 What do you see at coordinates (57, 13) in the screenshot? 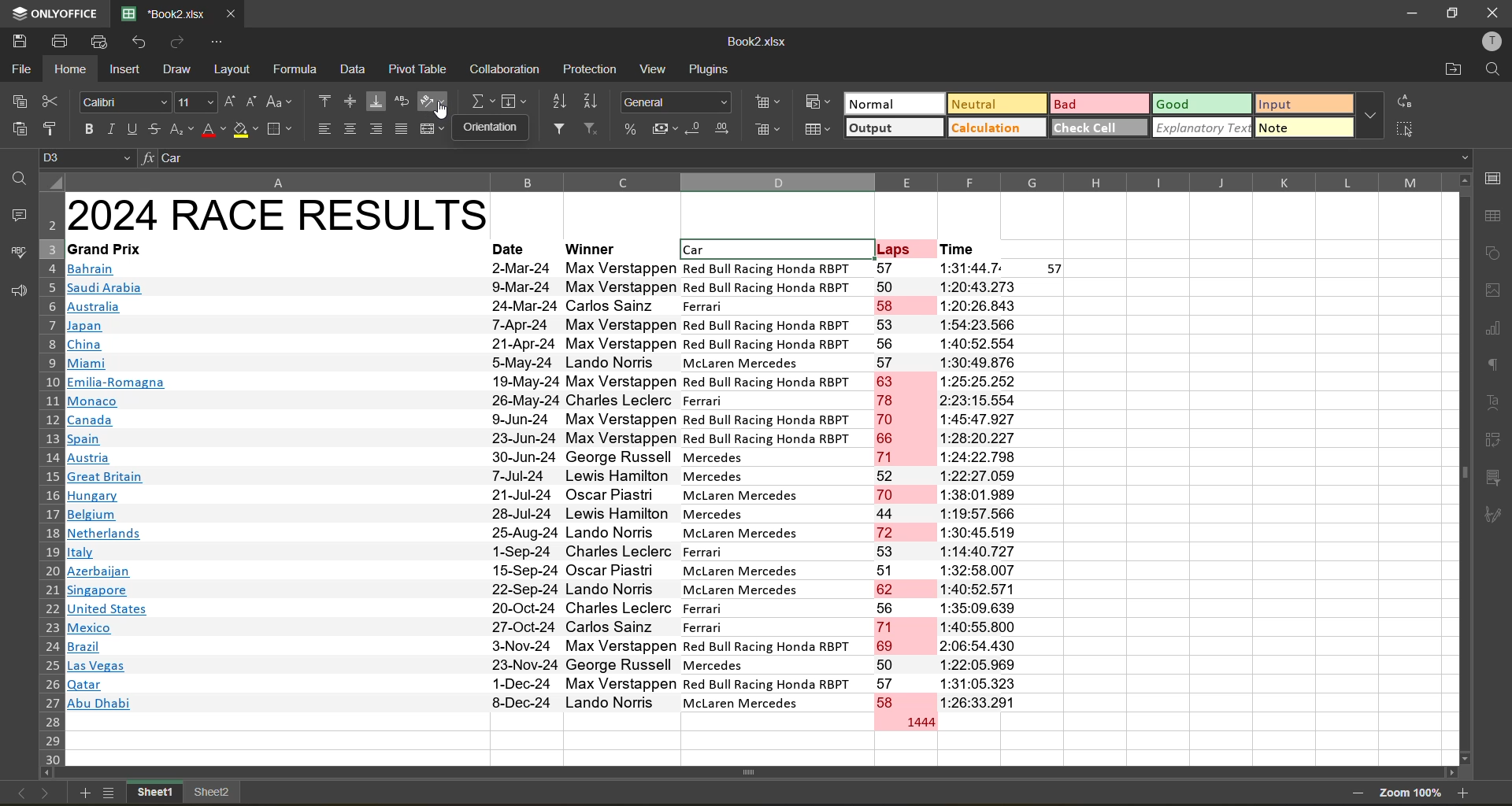
I see `app name` at bounding box center [57, 13].